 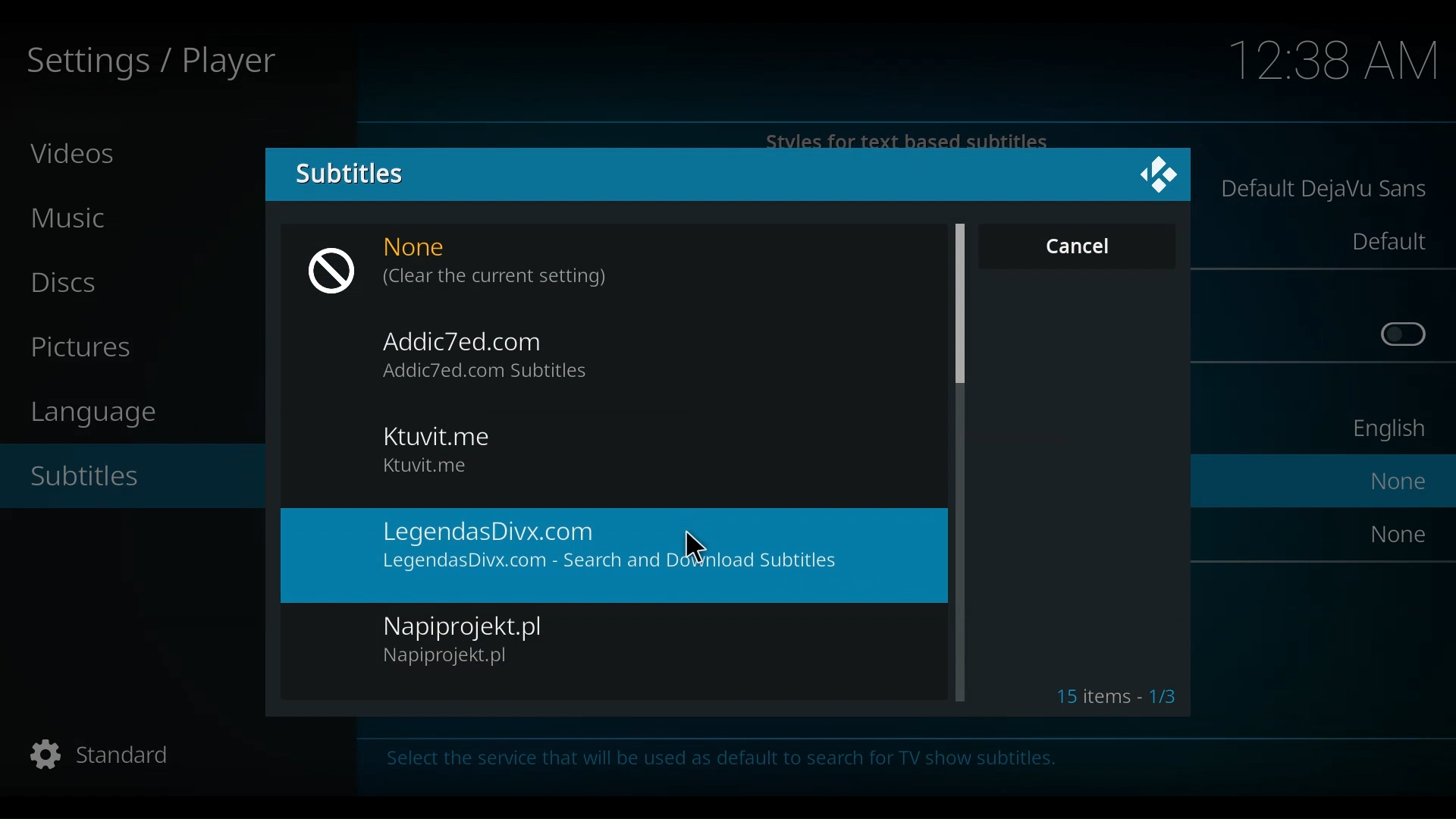 What do you see at coordinates (959, 303) in the screenshot?
I see `Vertical scroll bar` at bounding box center [959, 303].